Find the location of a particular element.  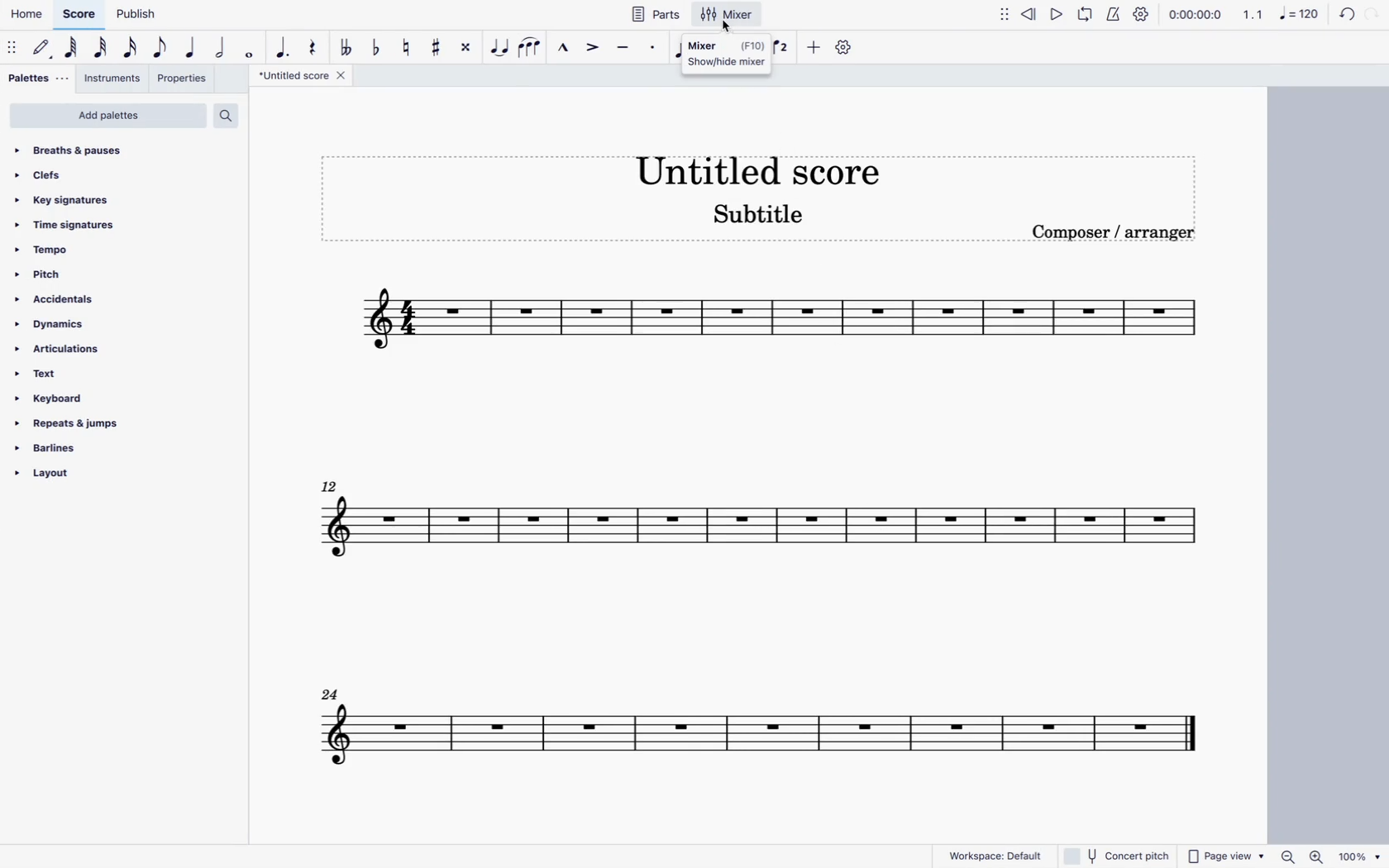

64th note is located at coordinates (73, 48).